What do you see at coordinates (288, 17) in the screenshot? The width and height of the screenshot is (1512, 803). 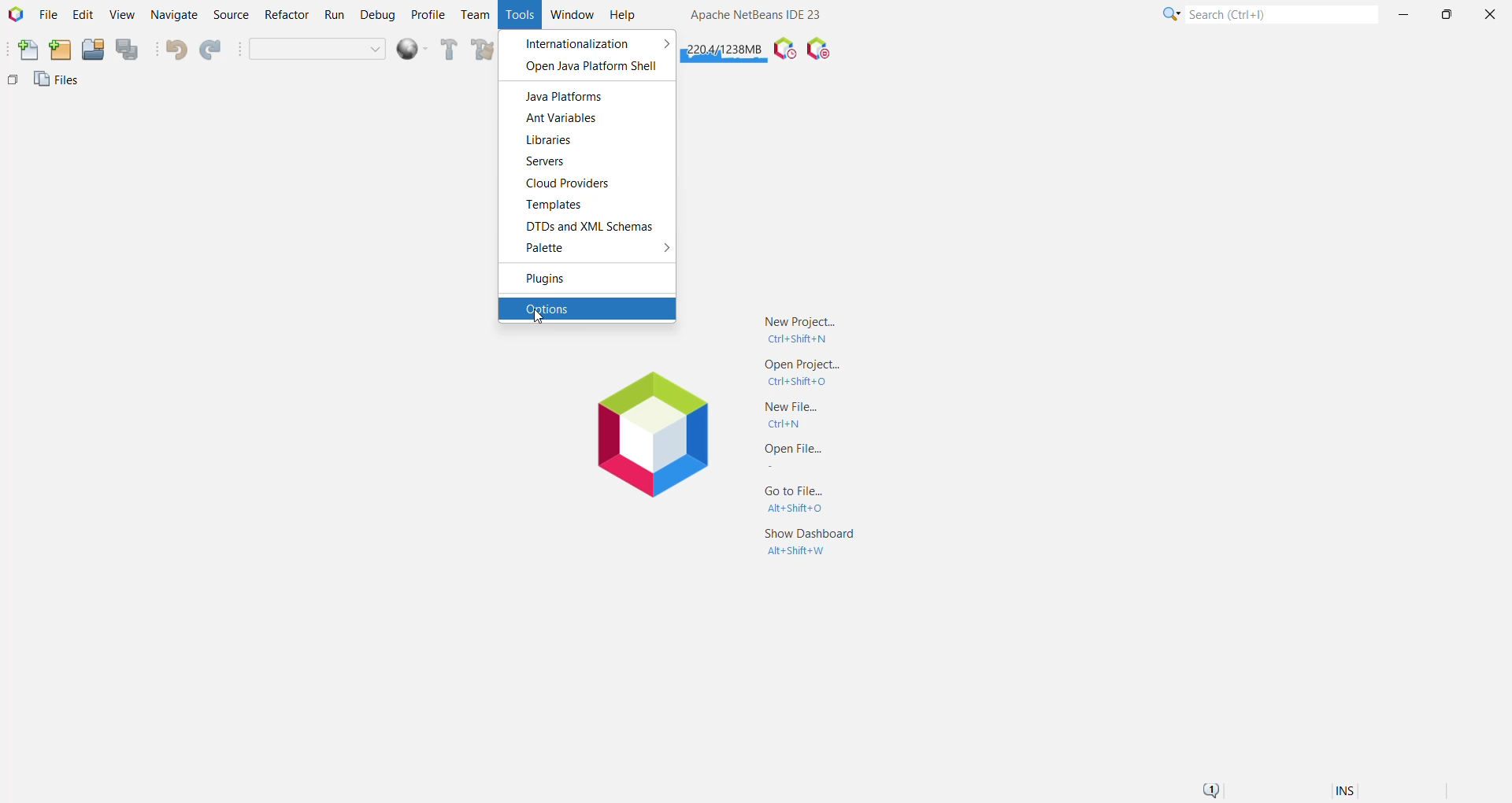 I see `Refactor` at bounding box center [288, 17].